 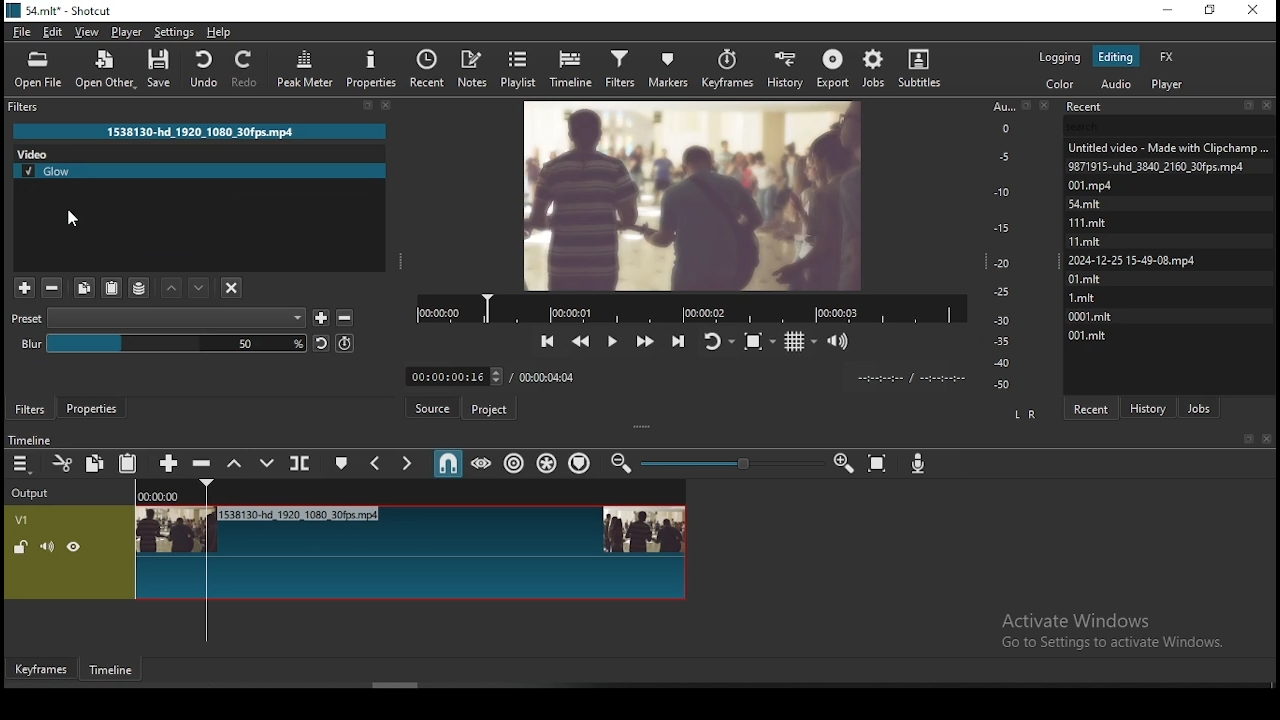 I want to click on 2024-12-25 15-49-08.mp4, so click(x=1133, y=260).